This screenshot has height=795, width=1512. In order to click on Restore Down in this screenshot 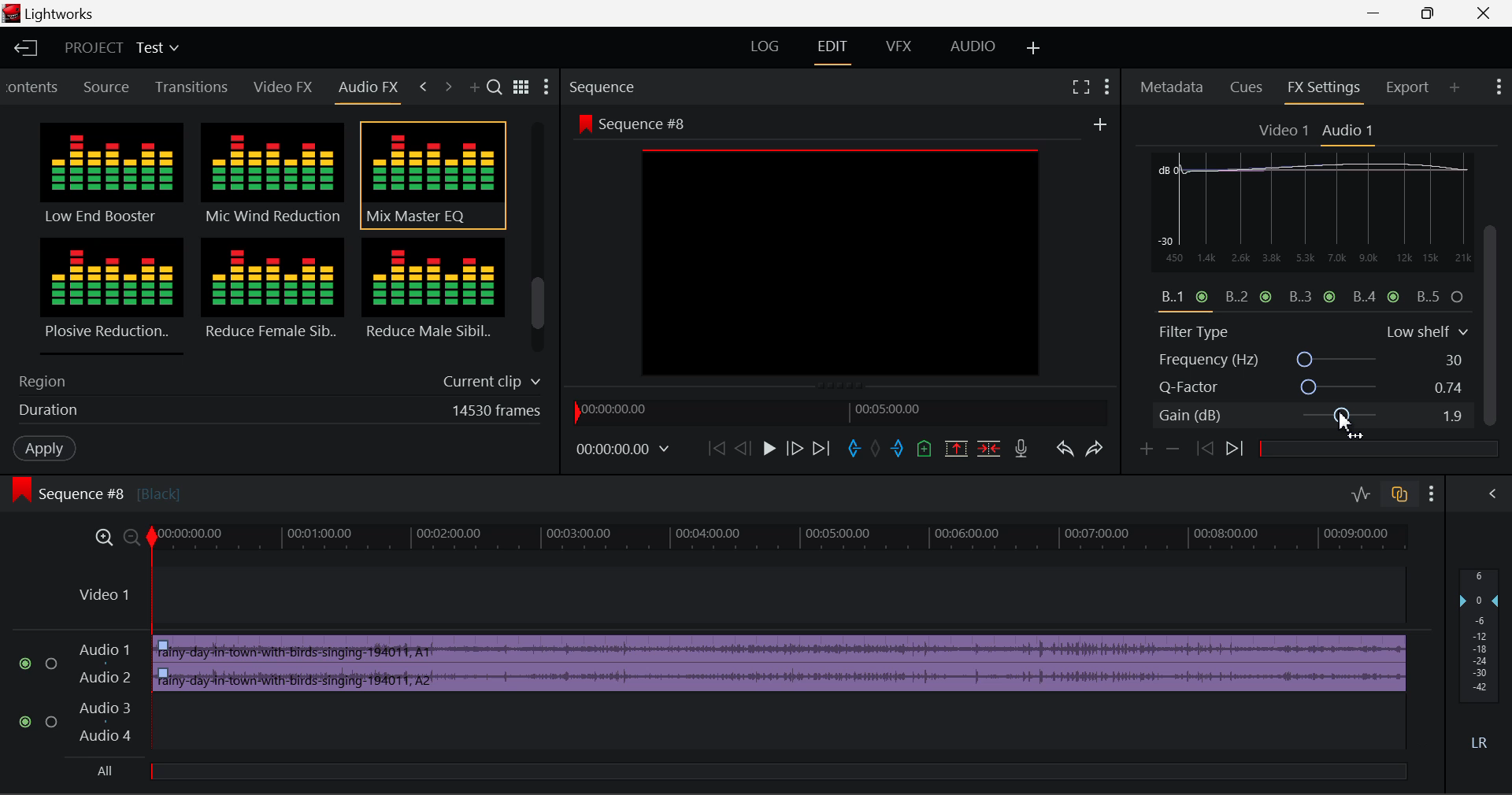, I will do `click(1380, 13)`.